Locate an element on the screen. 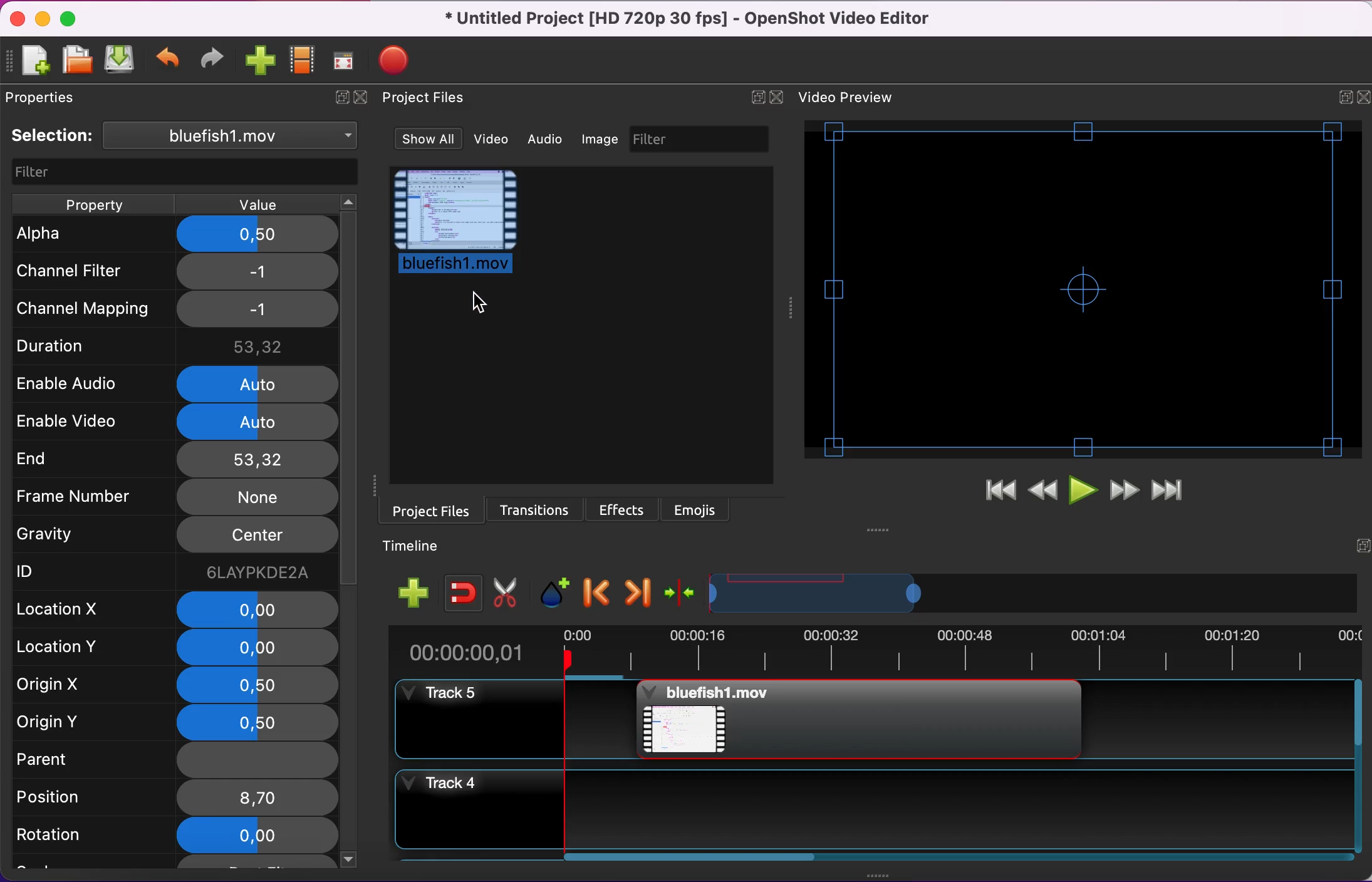 This screenshot has height=882, width=1372. Project files is located at coordinates (422, 97).